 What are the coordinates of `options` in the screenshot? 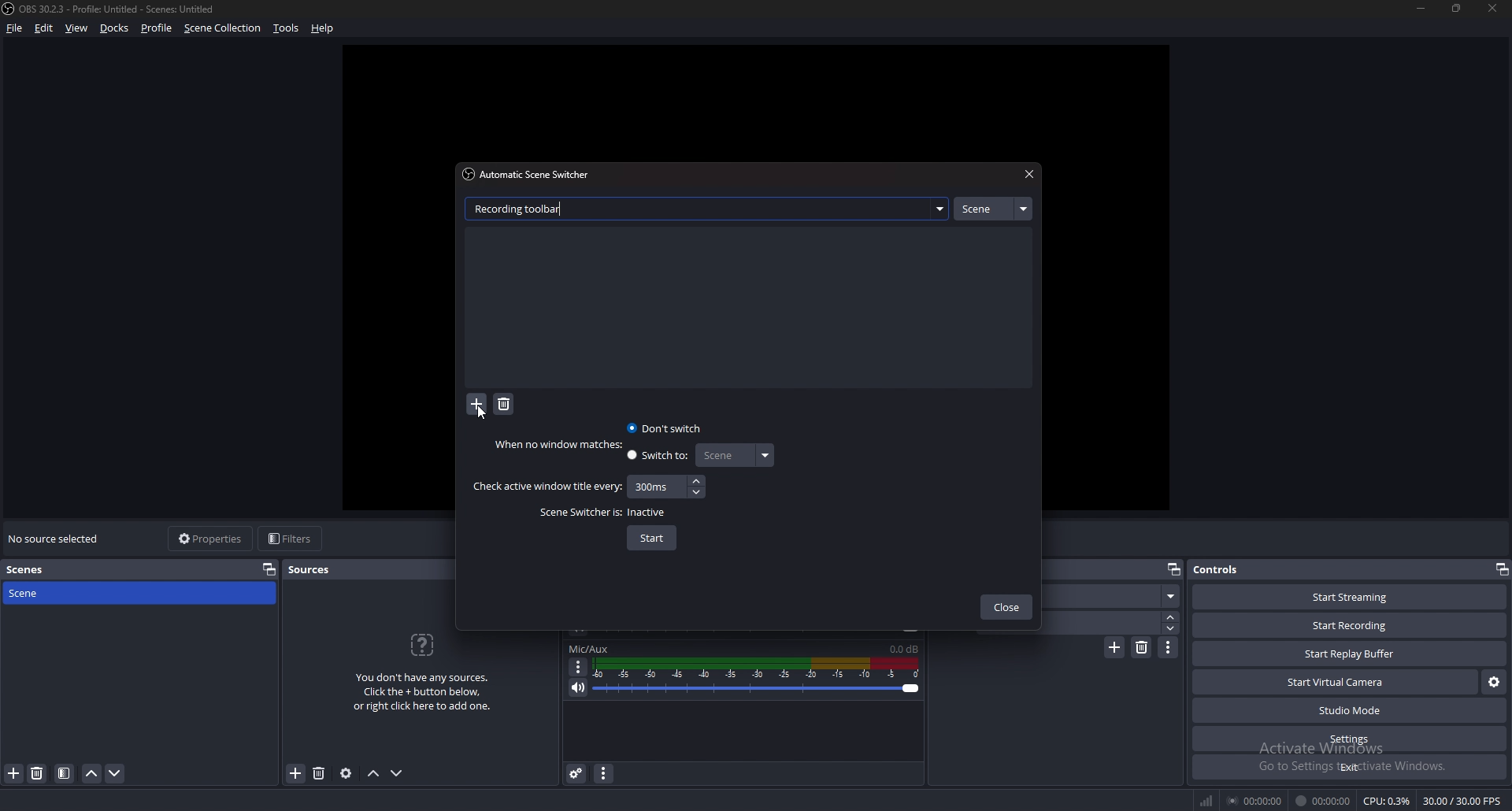 It's located at (579, 667).